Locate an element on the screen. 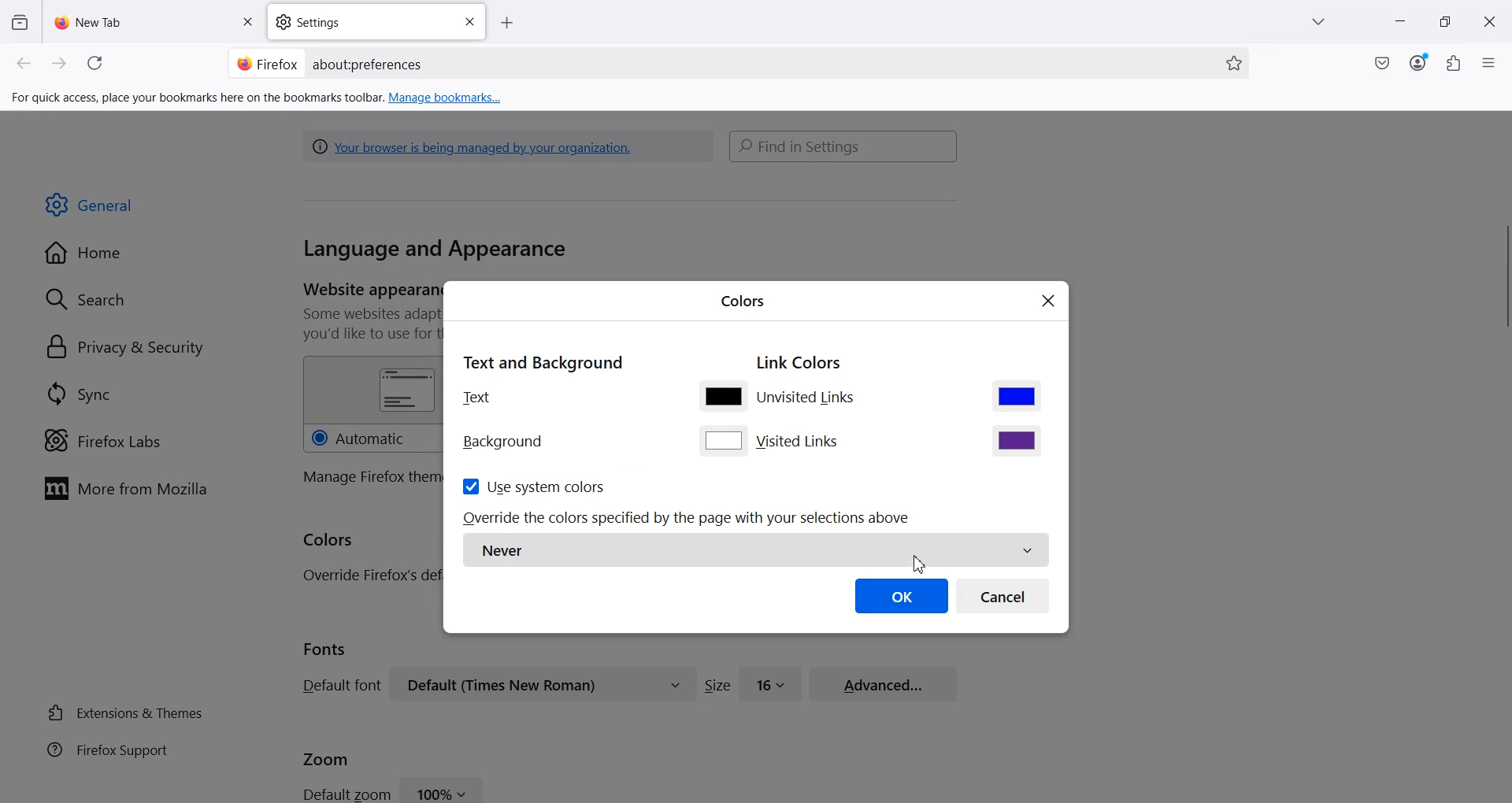  Choose Color is located at coordinates (1017, 440).